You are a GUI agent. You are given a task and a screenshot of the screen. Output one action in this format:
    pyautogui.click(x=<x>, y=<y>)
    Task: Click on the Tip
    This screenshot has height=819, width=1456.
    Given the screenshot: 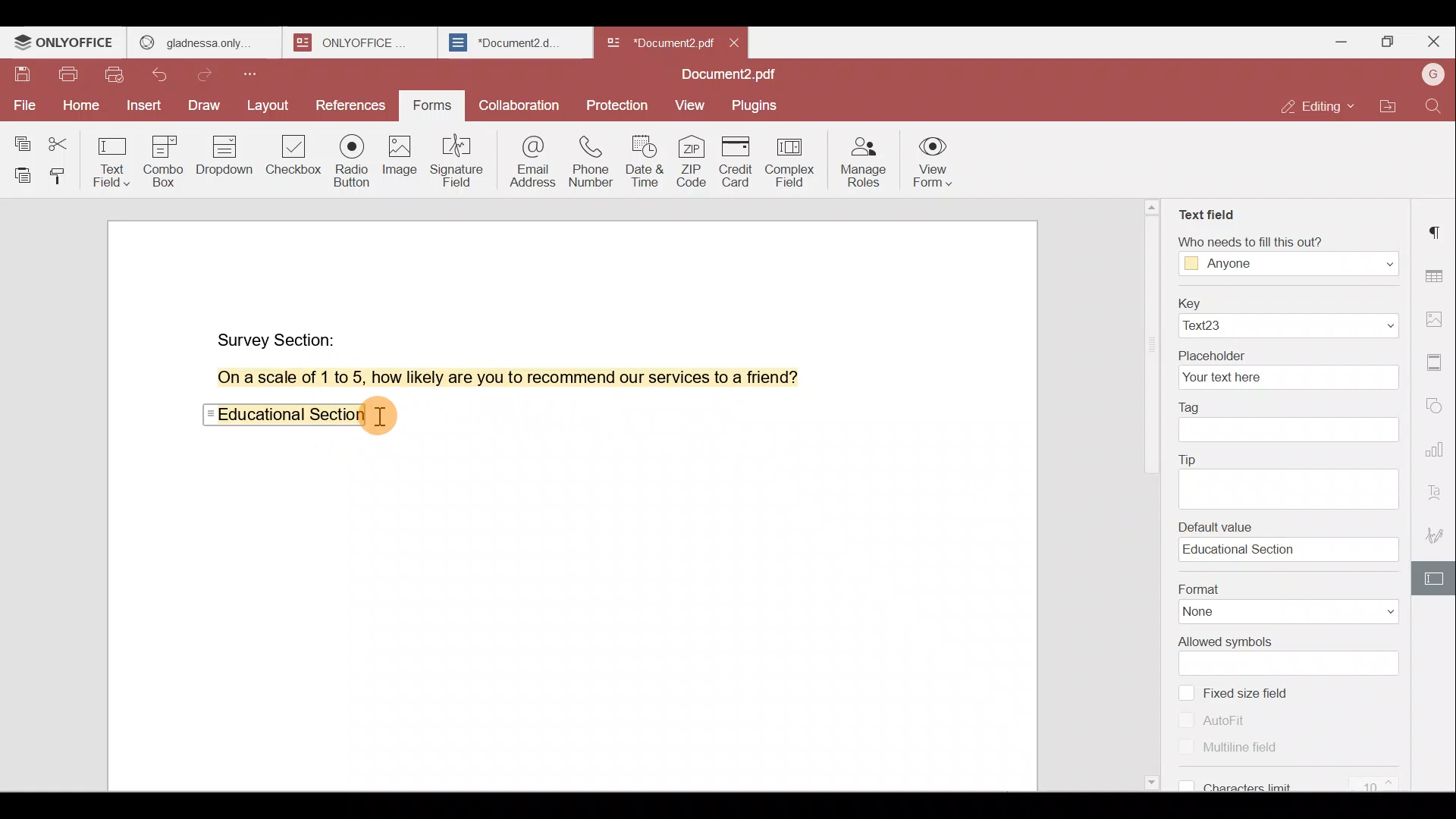 What is the action you would take?
    pyautogui.click(x=1293, y=477)
    